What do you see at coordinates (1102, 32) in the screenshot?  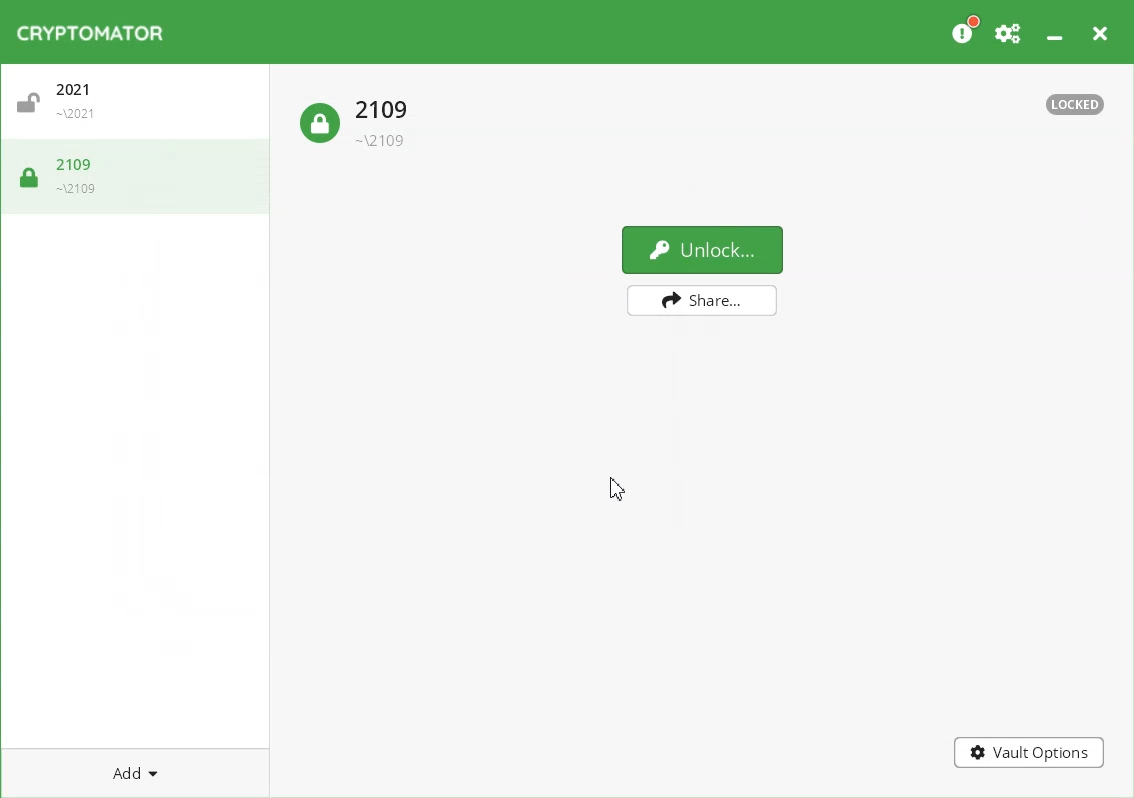 I see `Close` at bounding box center [1102, 32].